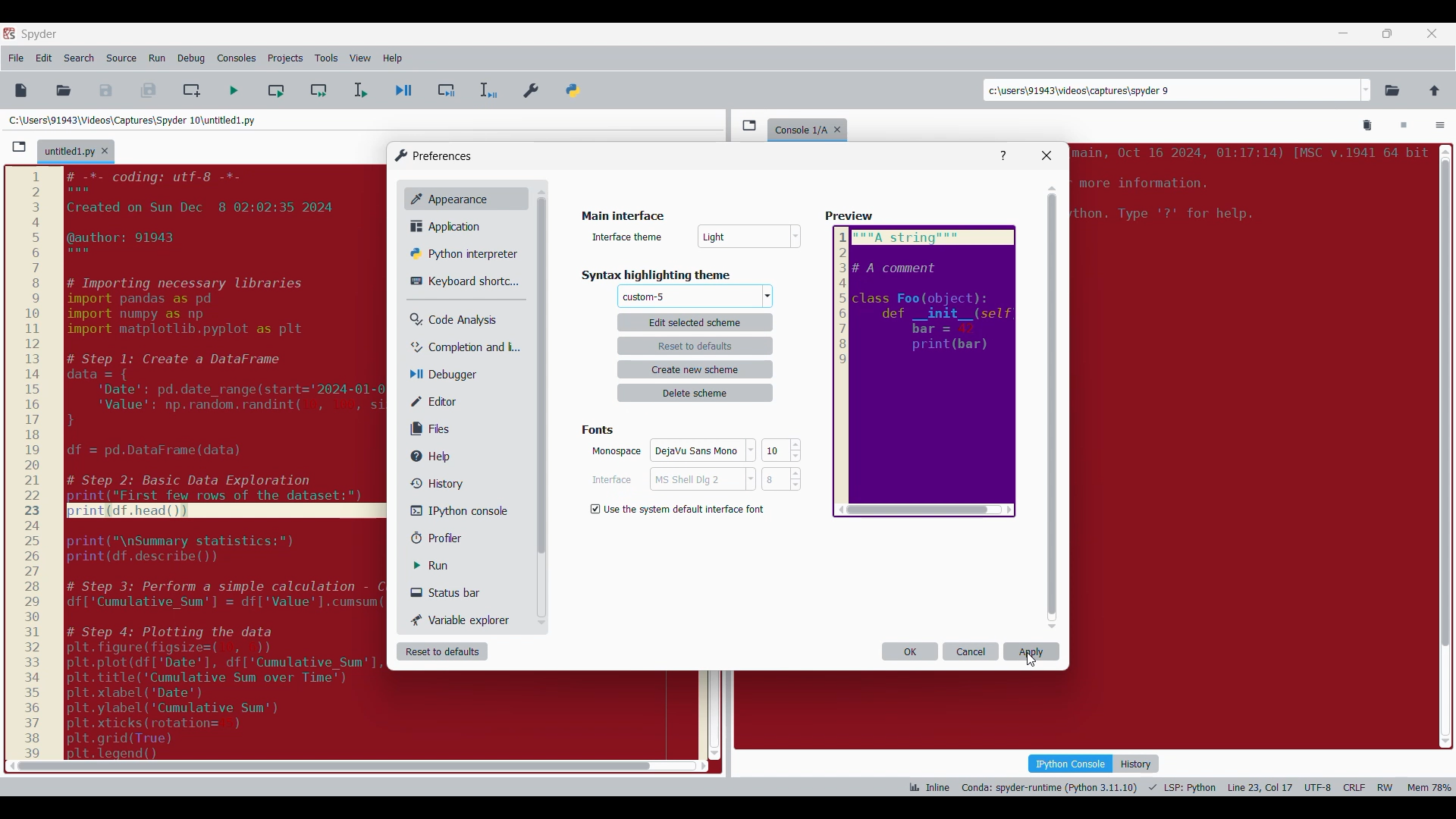  I want to click on Show in smaller tab, so click(1387, 33).